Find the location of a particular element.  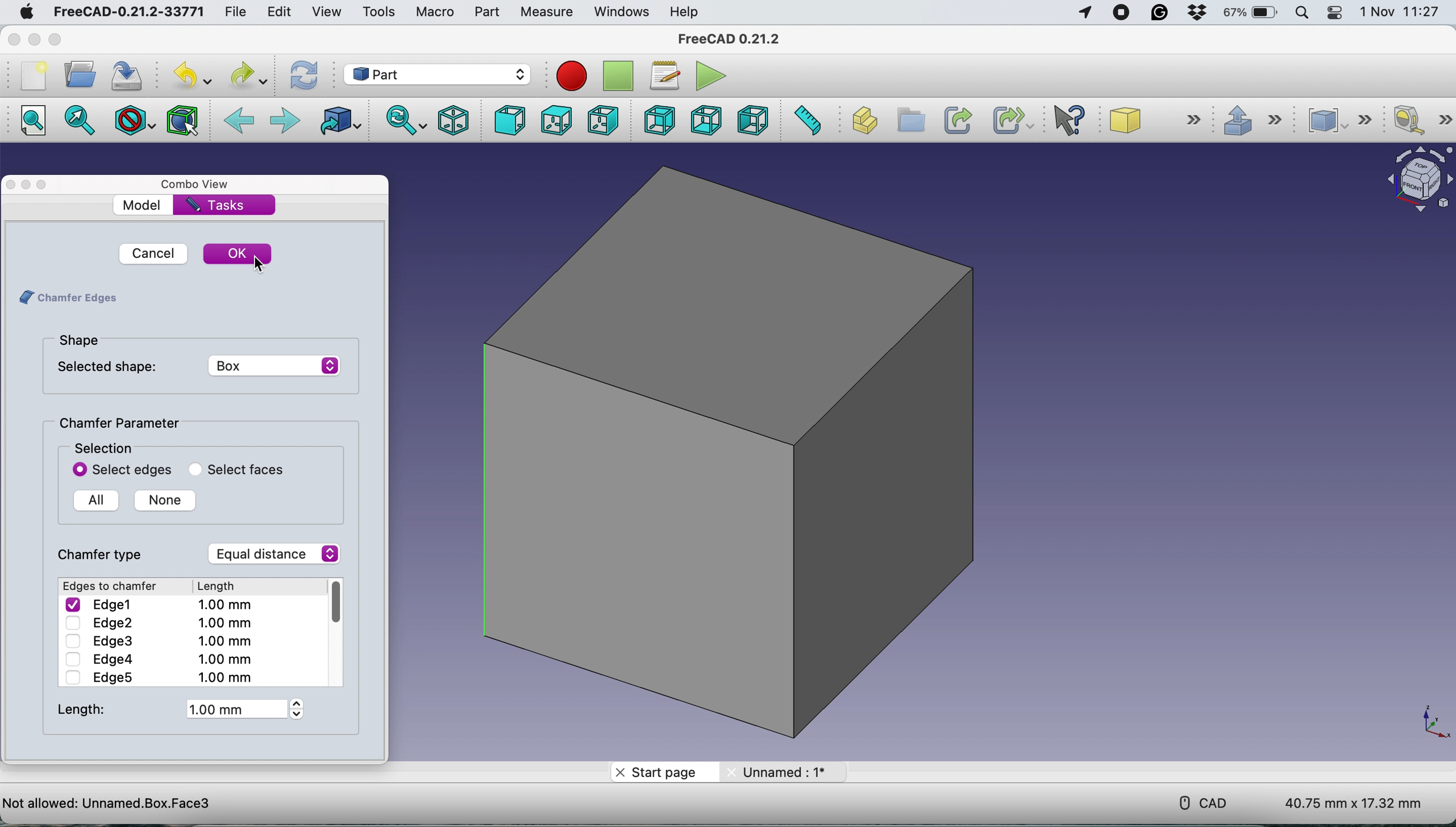

none is located at coordinates (169, 501).